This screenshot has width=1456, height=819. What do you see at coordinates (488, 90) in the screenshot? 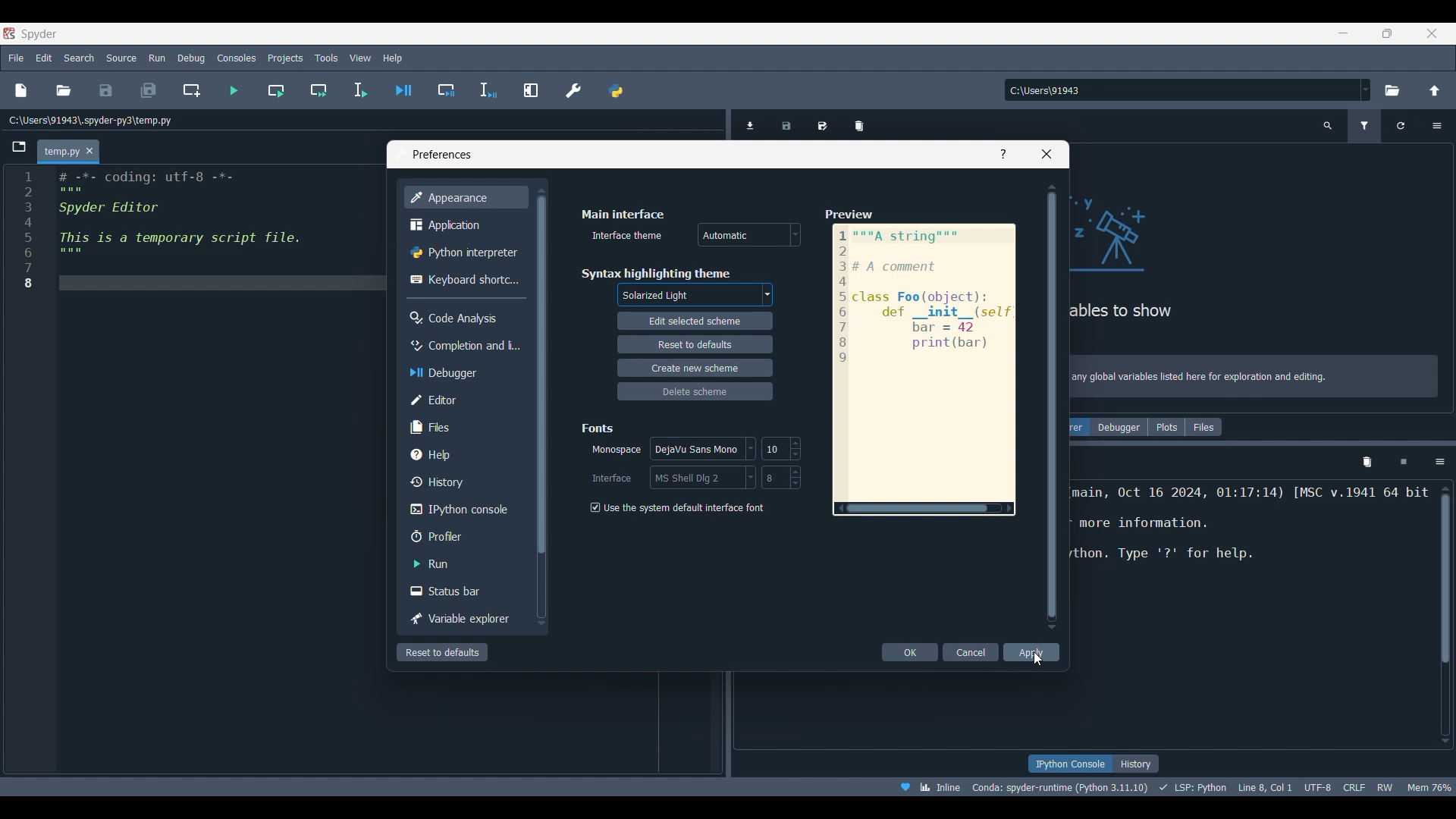
I see `Debug selection/current time` at bounding box center [488, 90].